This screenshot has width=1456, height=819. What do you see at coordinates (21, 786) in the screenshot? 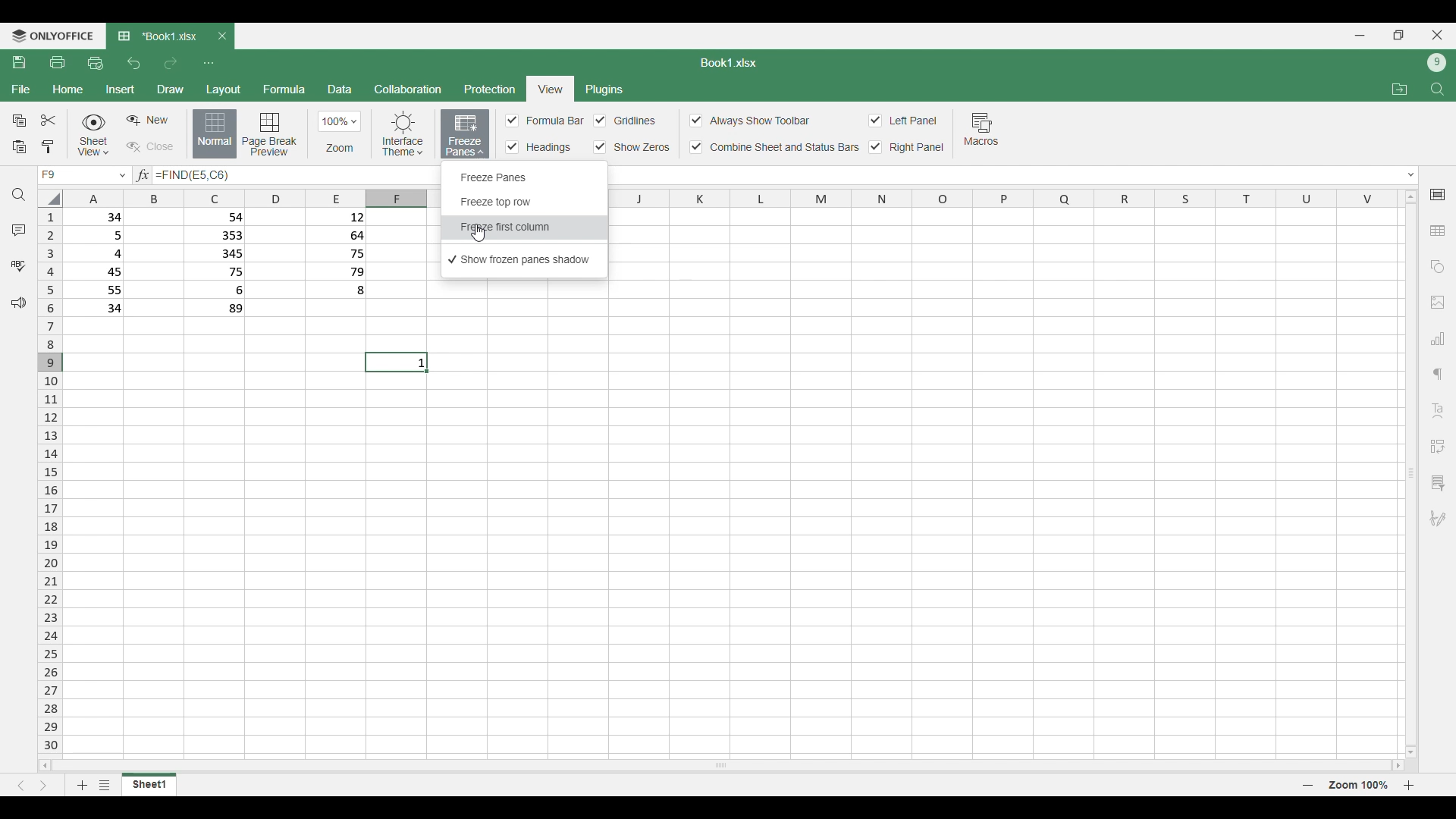
I see `Previous` at bounding box center [21, 786].